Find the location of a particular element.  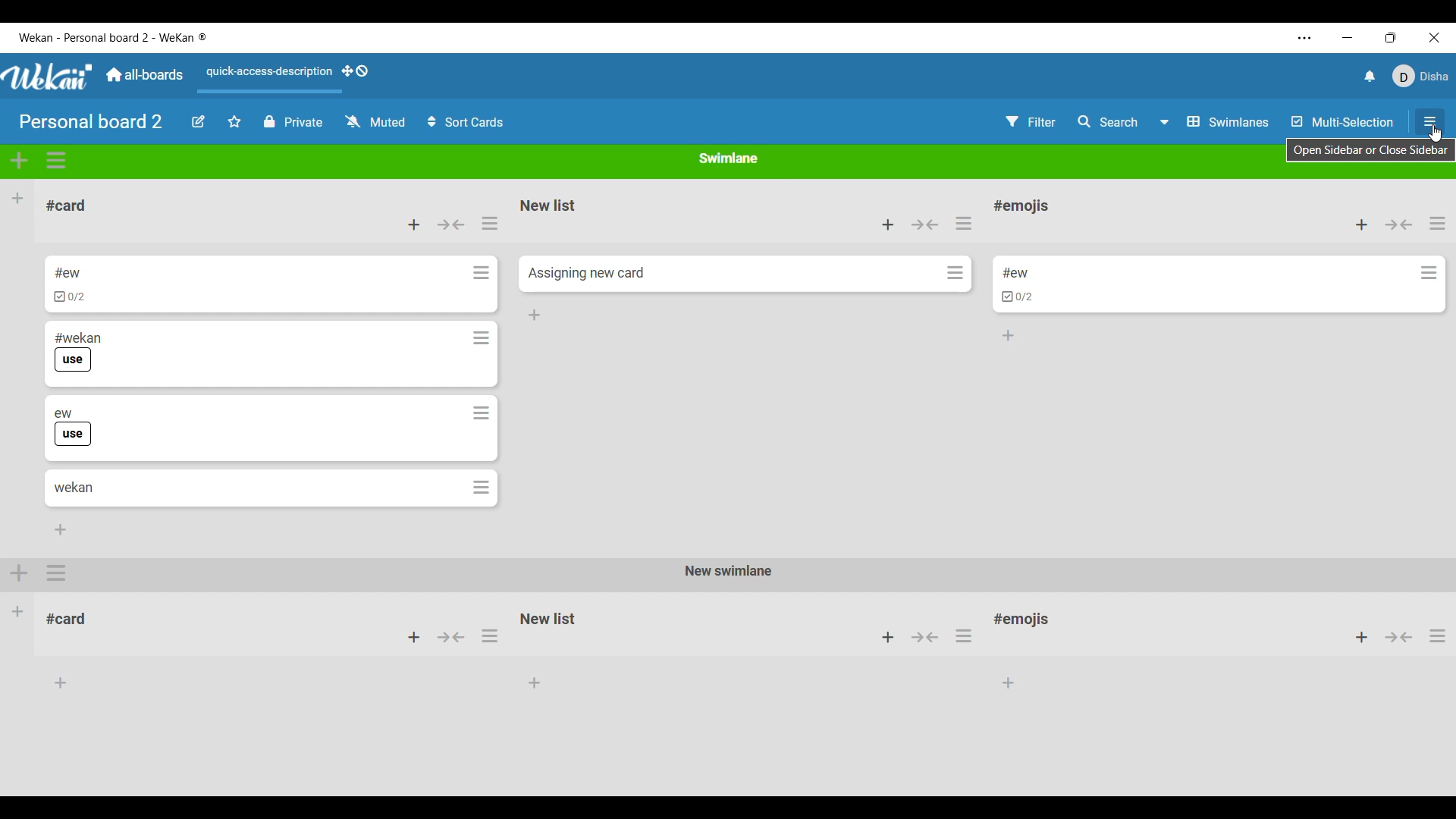

List actions is located at coordinates (964, 223).